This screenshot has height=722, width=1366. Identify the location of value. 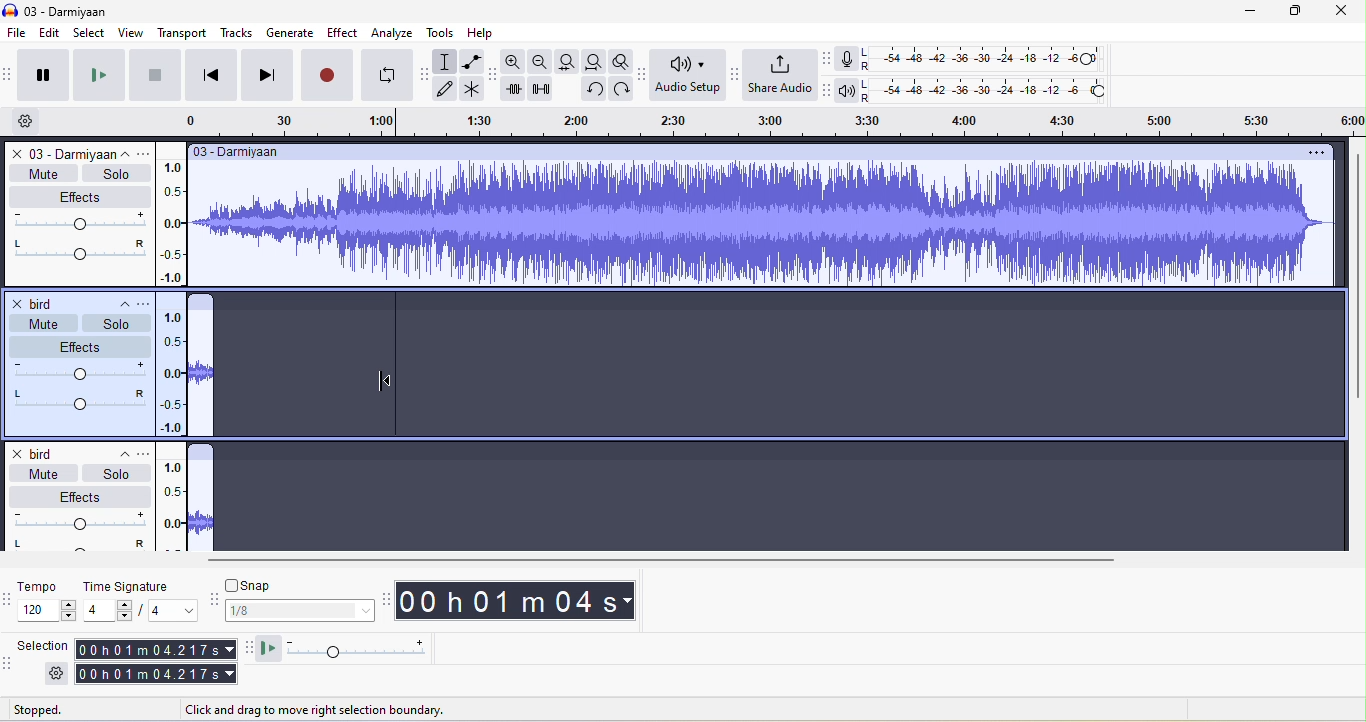
(106, 610).